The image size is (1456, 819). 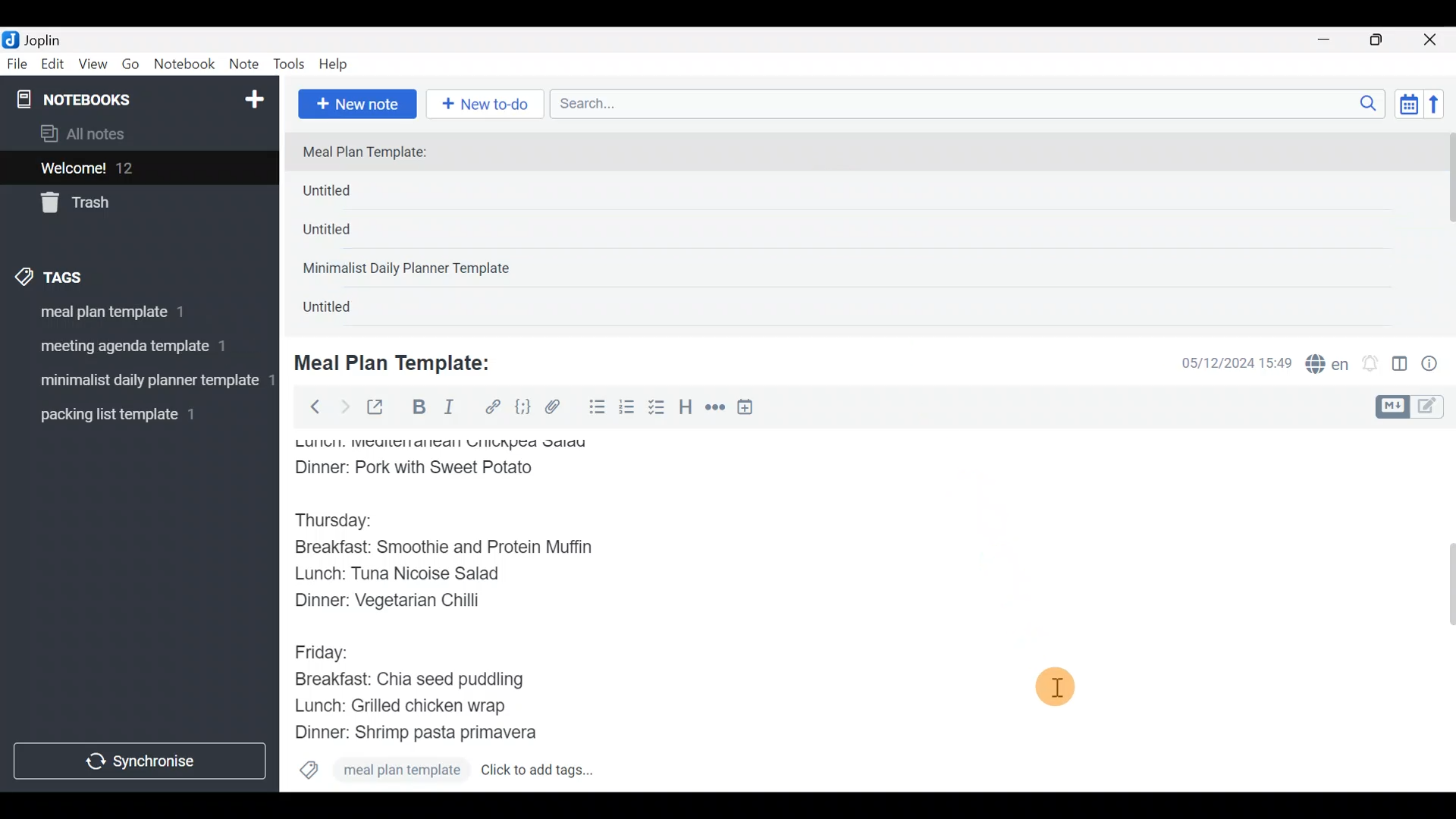 What do you see at coordinates (130, 204) in the screenshot?
I see `Trash` at bounding box center [130, 204].